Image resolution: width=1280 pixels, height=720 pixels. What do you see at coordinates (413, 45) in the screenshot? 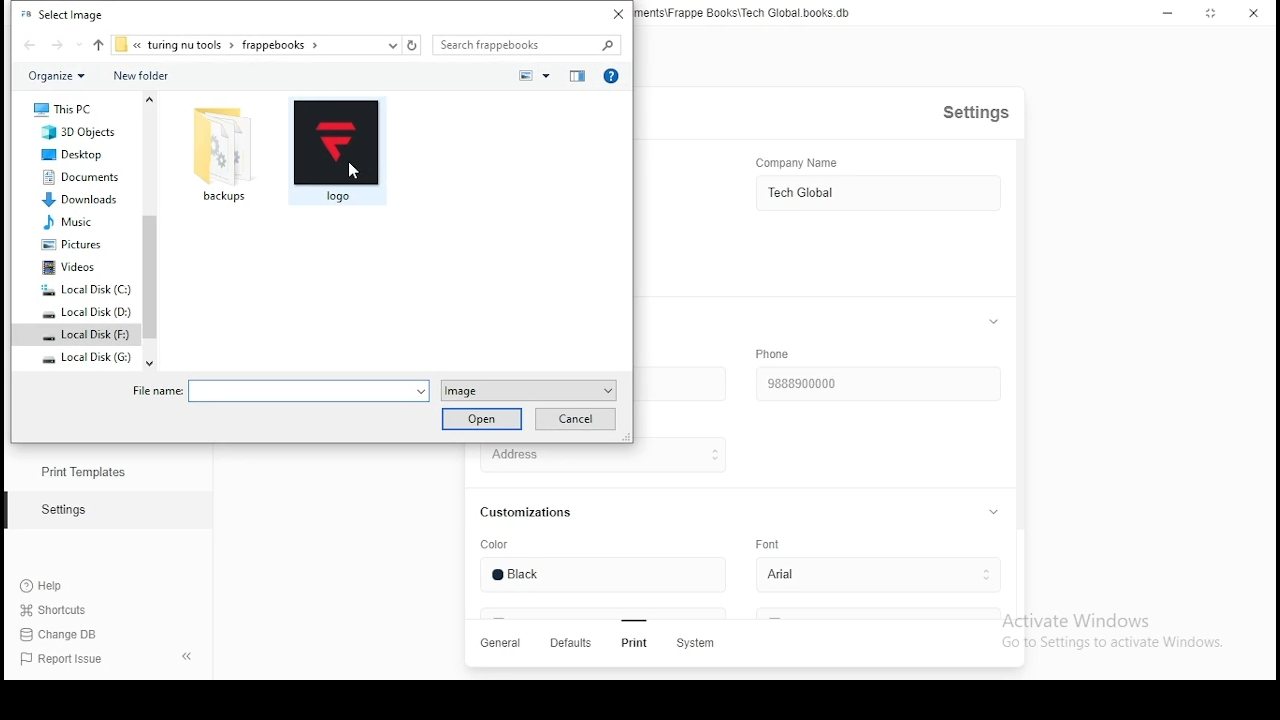
I see `refresh` at bounding box center [413, 45].